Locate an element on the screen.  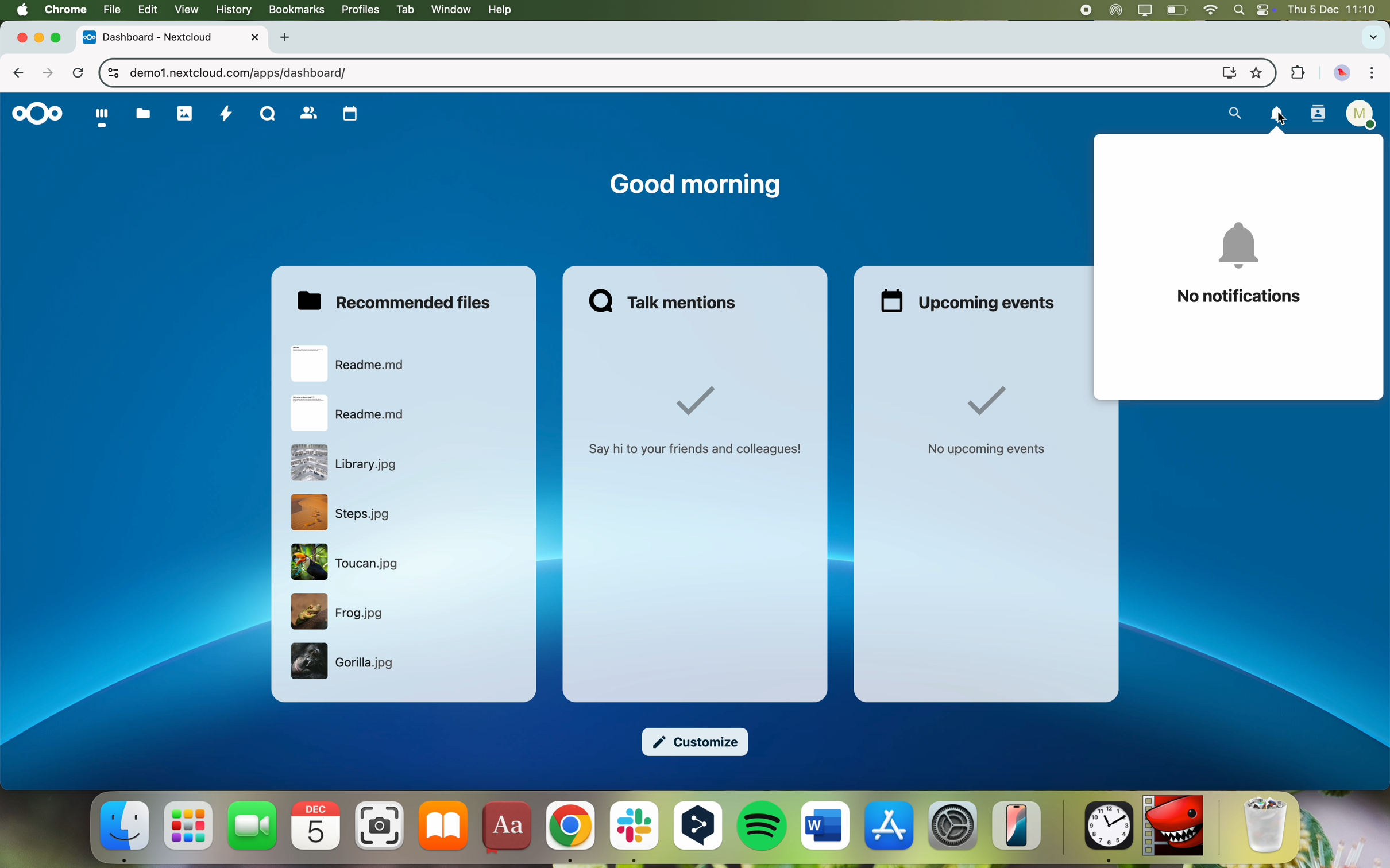
screen is located at coordinates (1225, 72).